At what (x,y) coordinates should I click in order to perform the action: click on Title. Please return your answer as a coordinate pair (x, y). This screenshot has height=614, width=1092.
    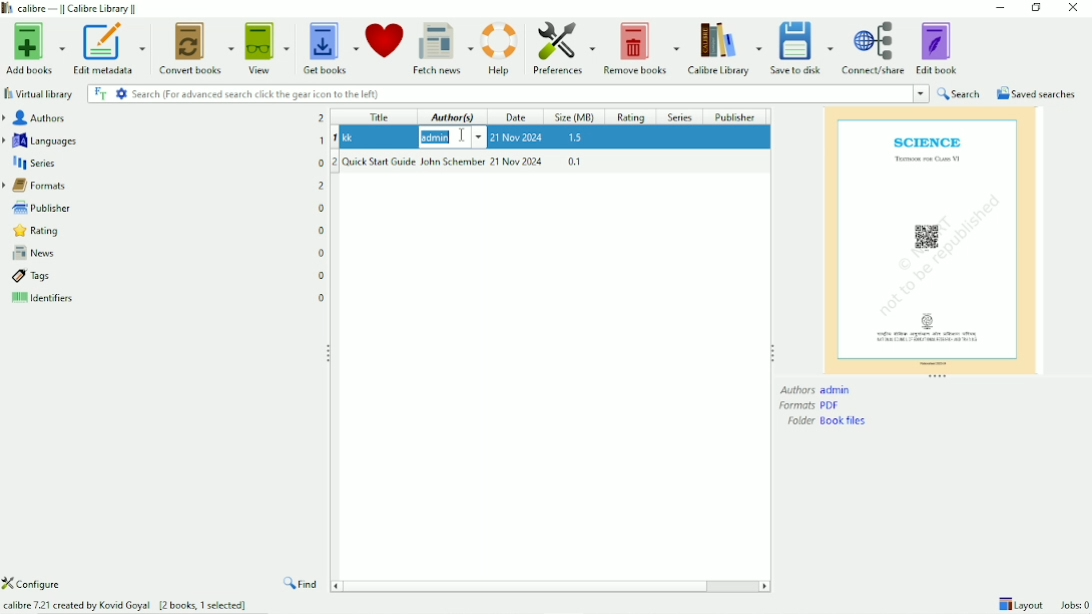
    Looking at the image, I should click on (381, 116).